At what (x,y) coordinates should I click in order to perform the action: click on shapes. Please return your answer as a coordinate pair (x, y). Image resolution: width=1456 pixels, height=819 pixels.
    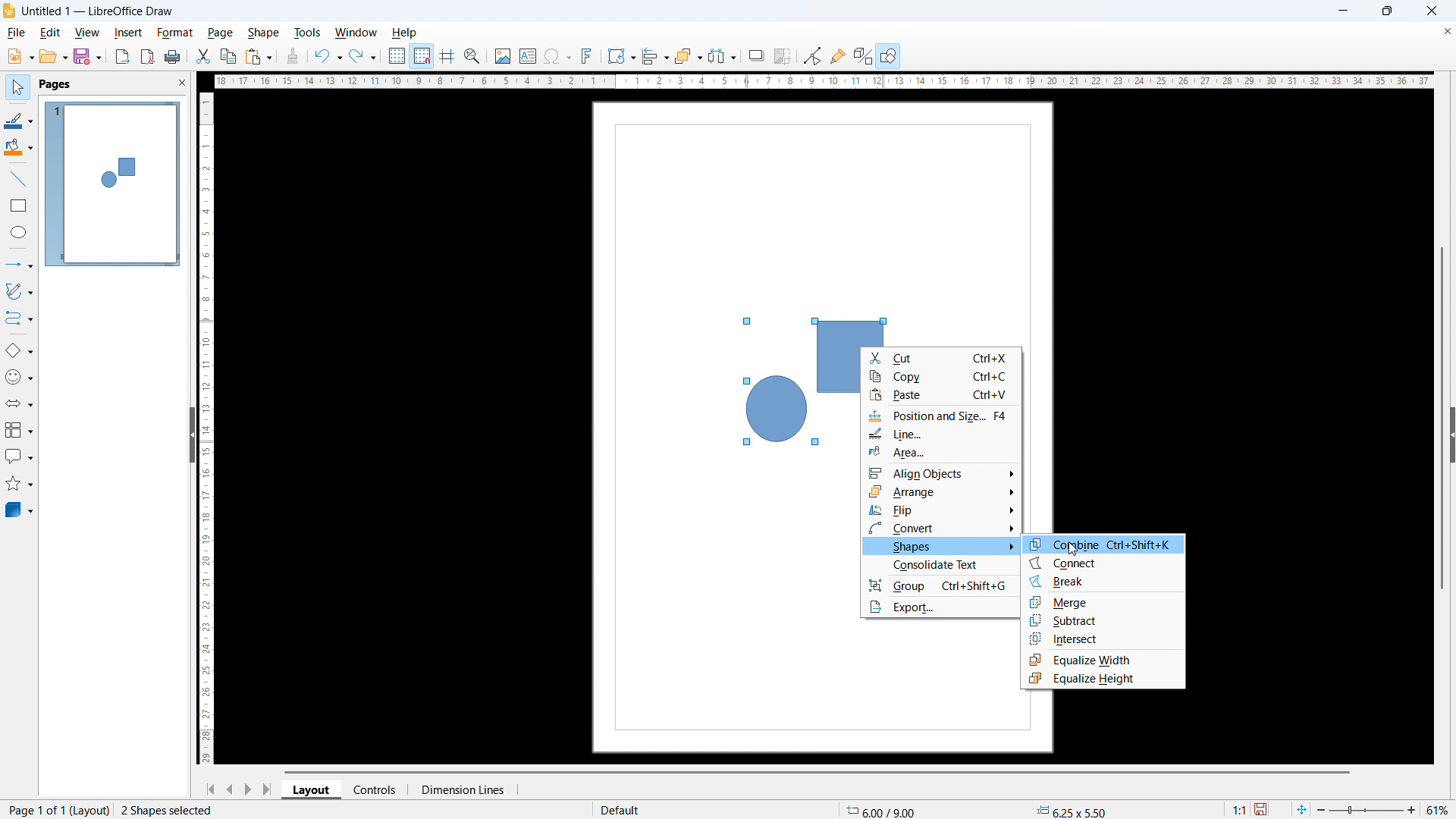
    Looking at the image, I should click on (940, 546).